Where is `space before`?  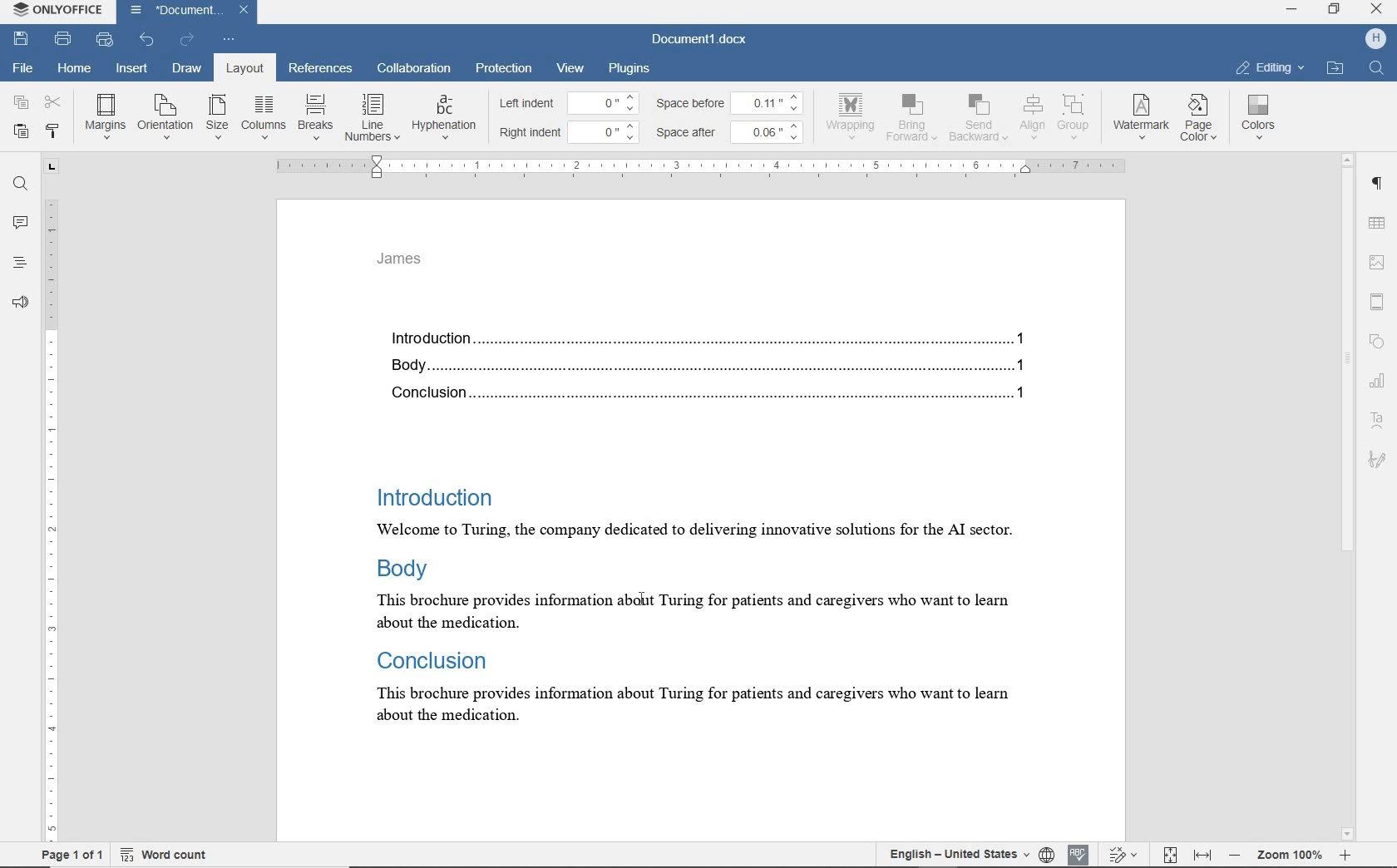 space before is located at coordinates (693, 103).